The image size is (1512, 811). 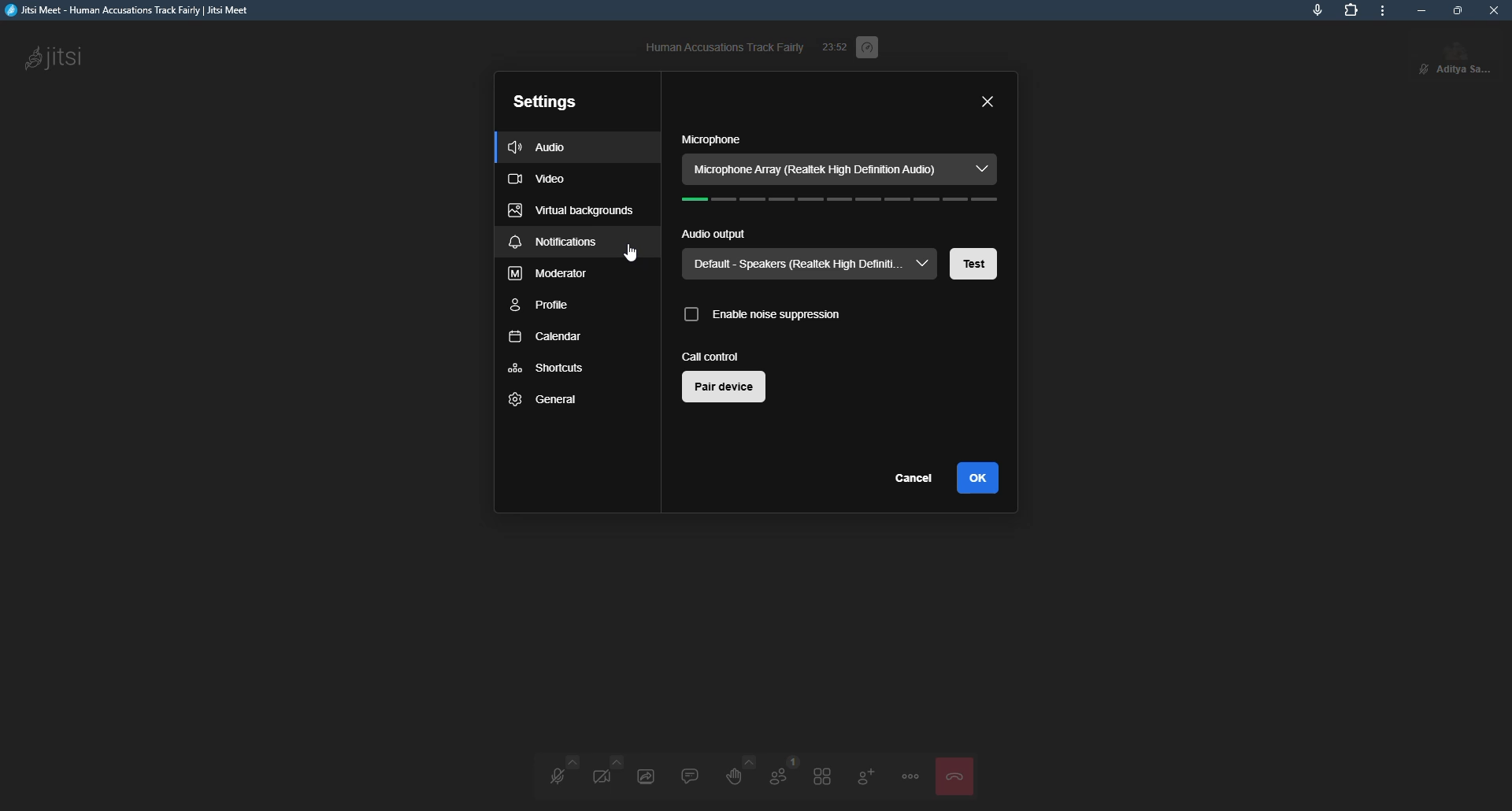 I want to click on cursor, so click(x=634, y=254).